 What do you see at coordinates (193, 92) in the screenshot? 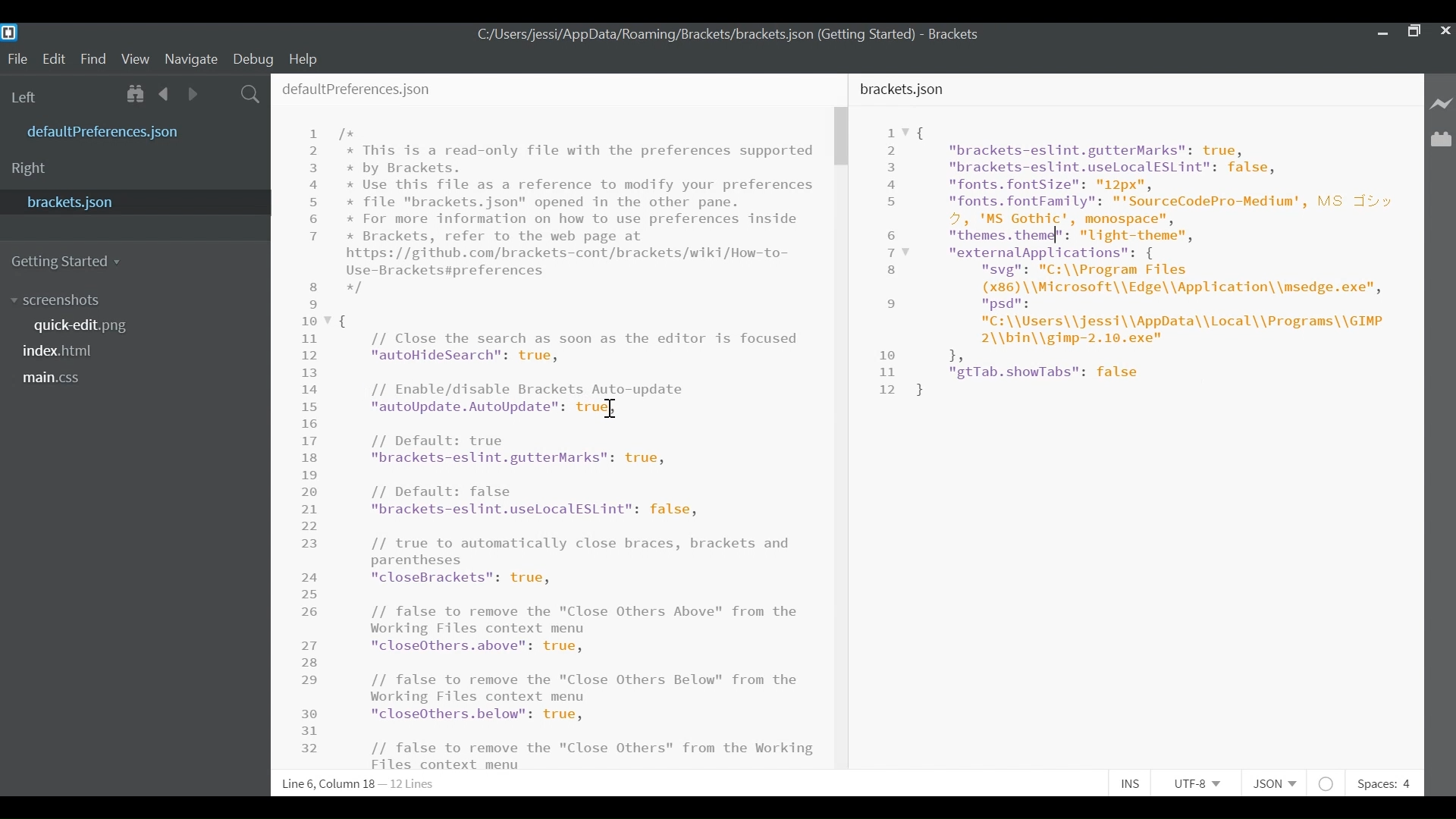
I see `Navigate Forward` at bounding box center [193, 92].